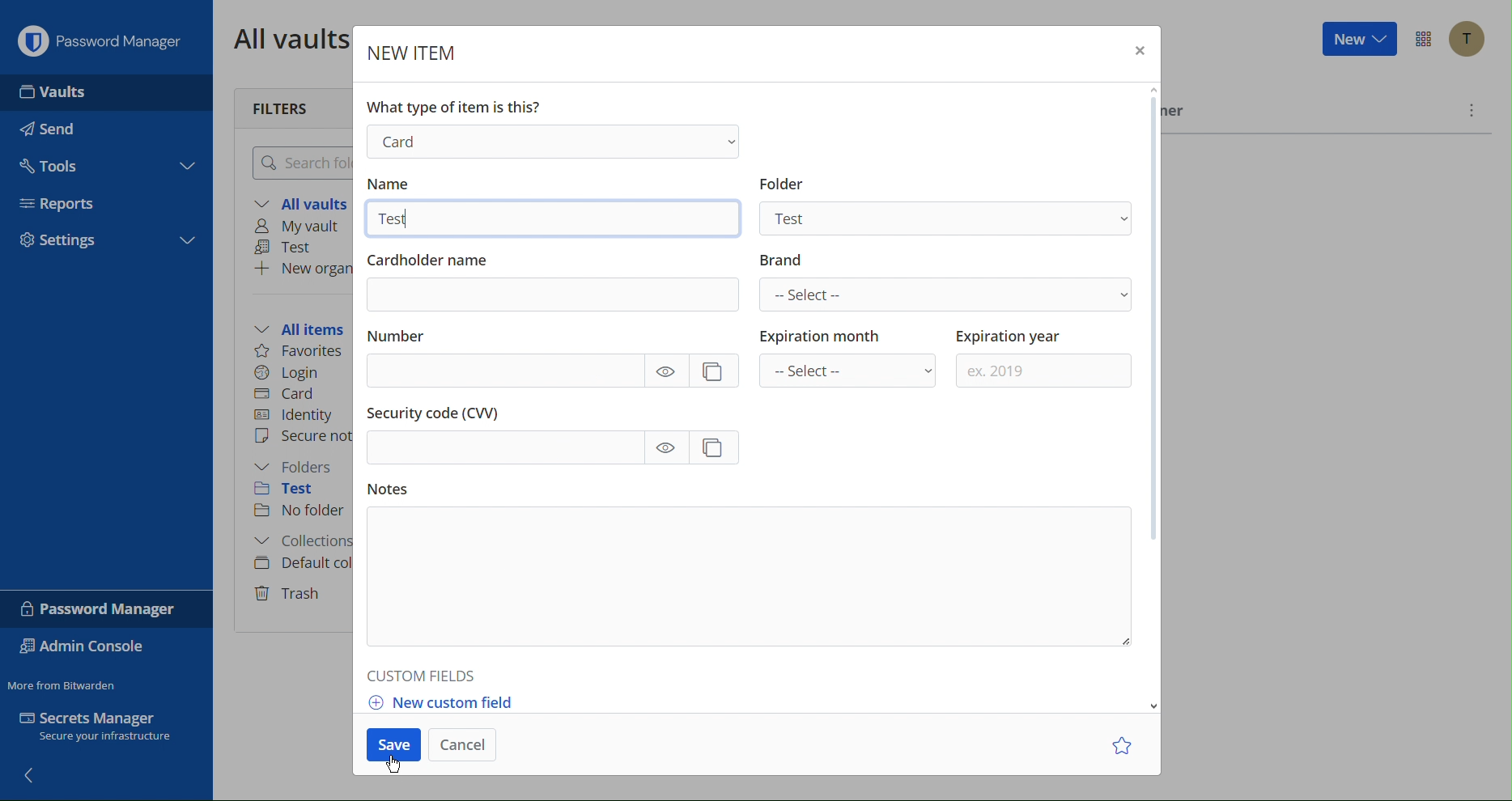  Describe the element at coordinates (1468, 39) in the screenshot. I see `Account` at that location.